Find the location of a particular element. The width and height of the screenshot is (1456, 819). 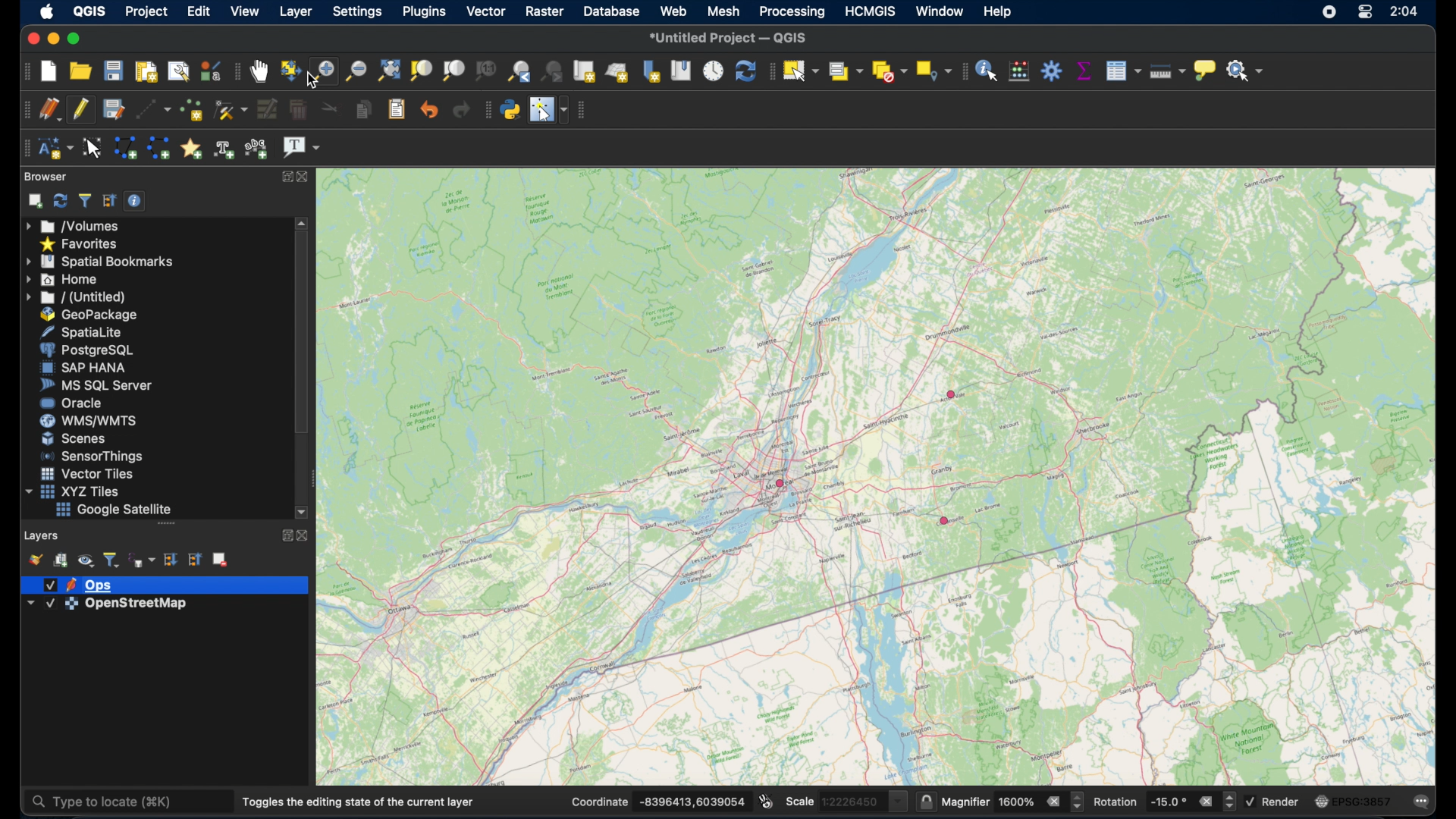

deselect features from all layers is located at coordinates (890, 71).